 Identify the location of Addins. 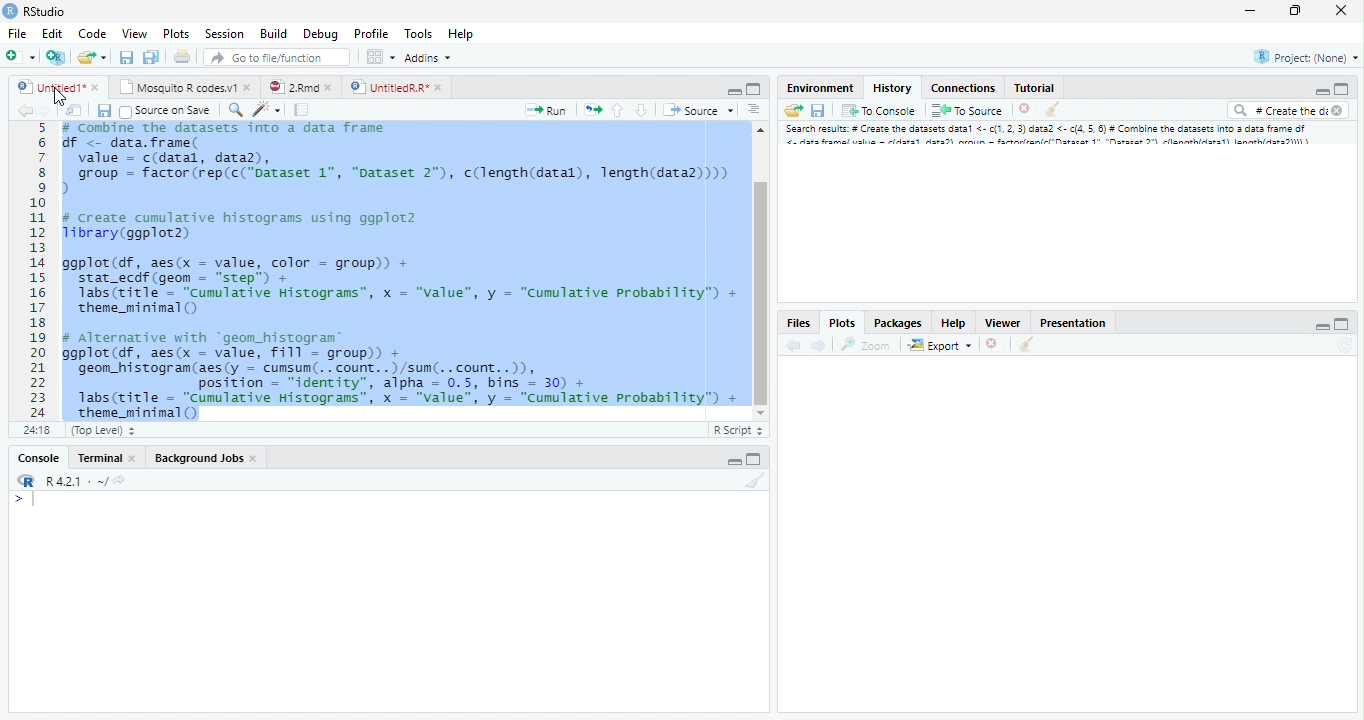
(429, 59).